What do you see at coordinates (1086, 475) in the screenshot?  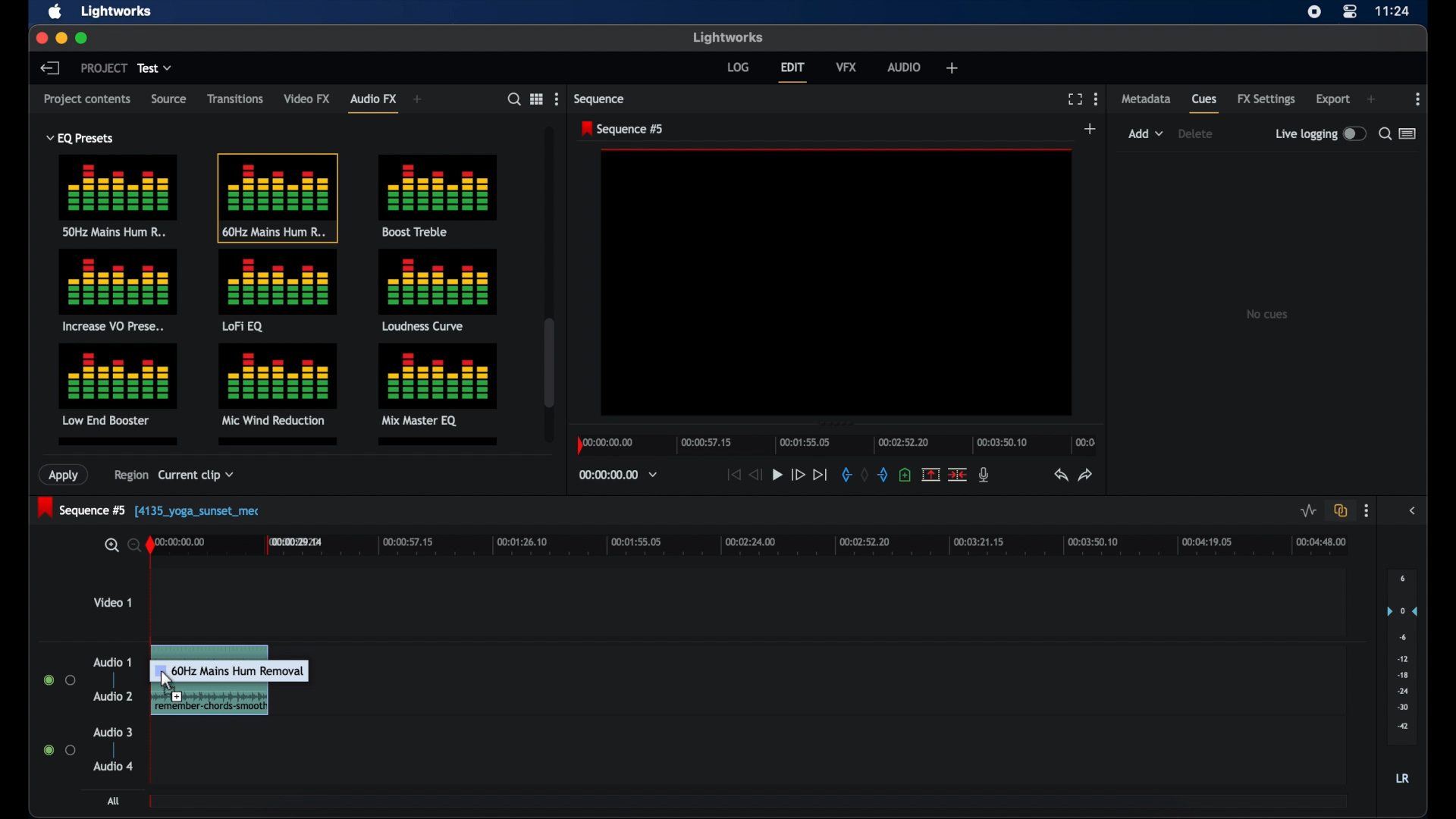 I see `redo` at bounding box center [1086, 475].